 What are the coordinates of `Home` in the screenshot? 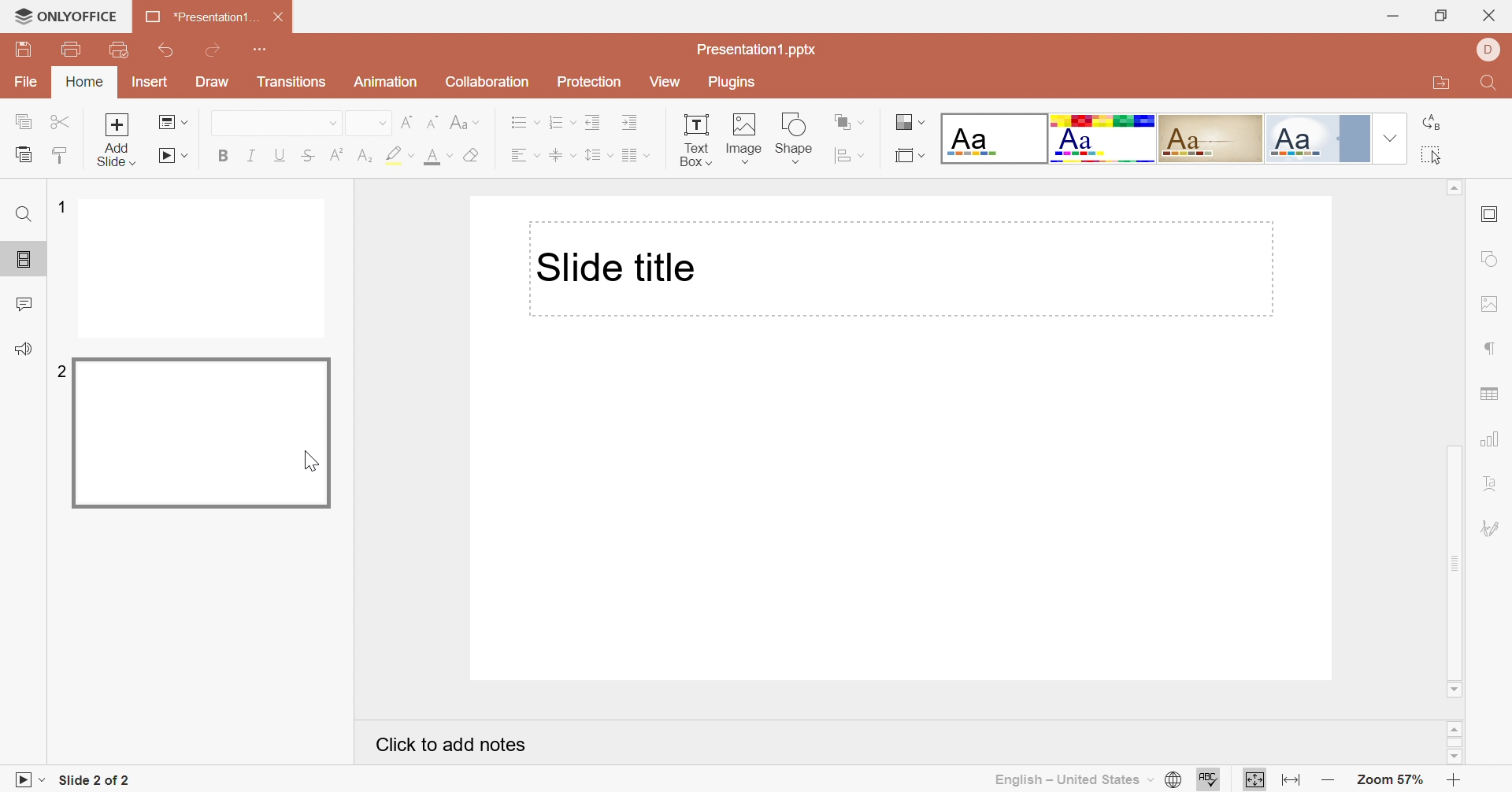 It's located at (87, 83).